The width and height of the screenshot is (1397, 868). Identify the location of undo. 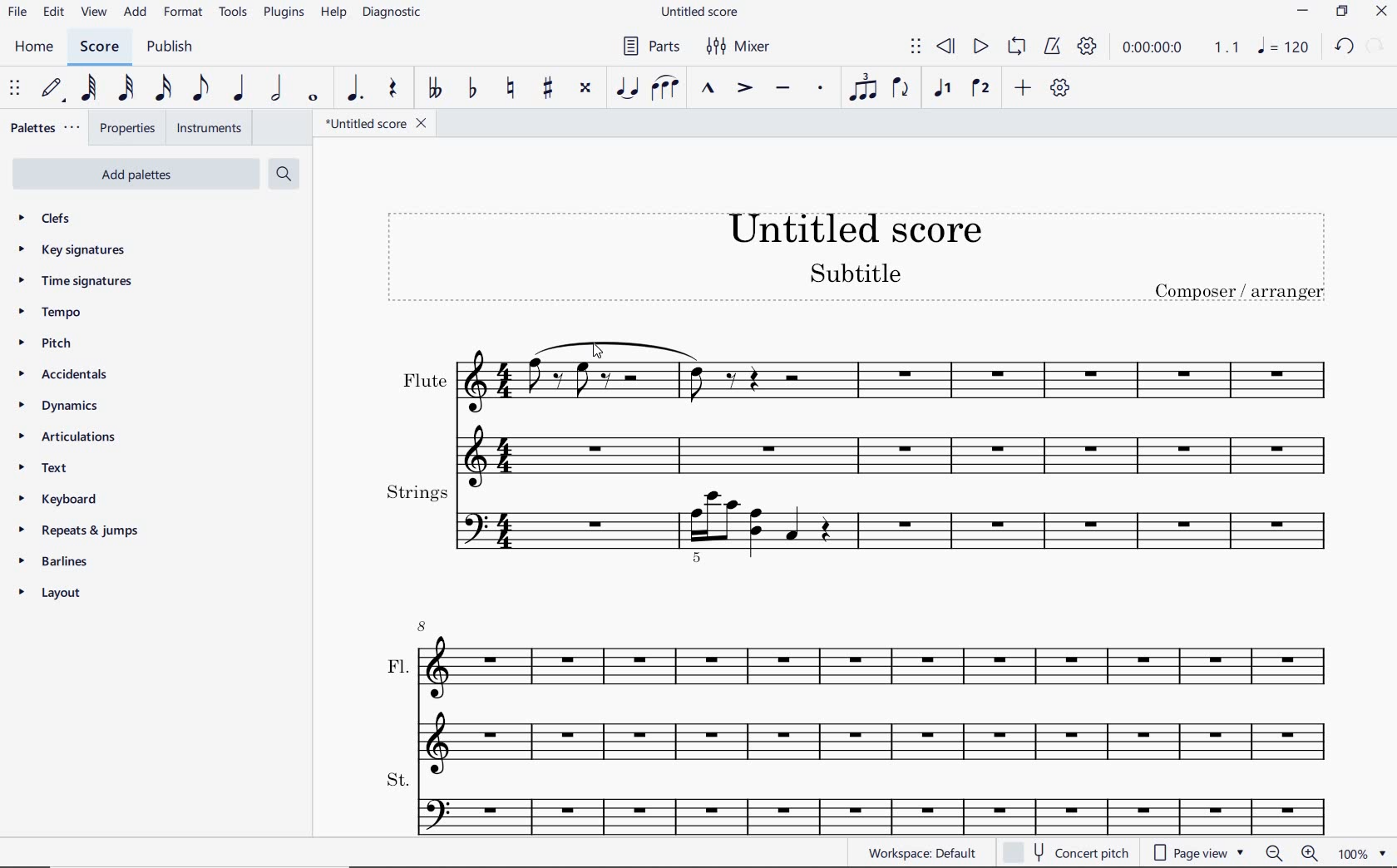
(1344, 49).